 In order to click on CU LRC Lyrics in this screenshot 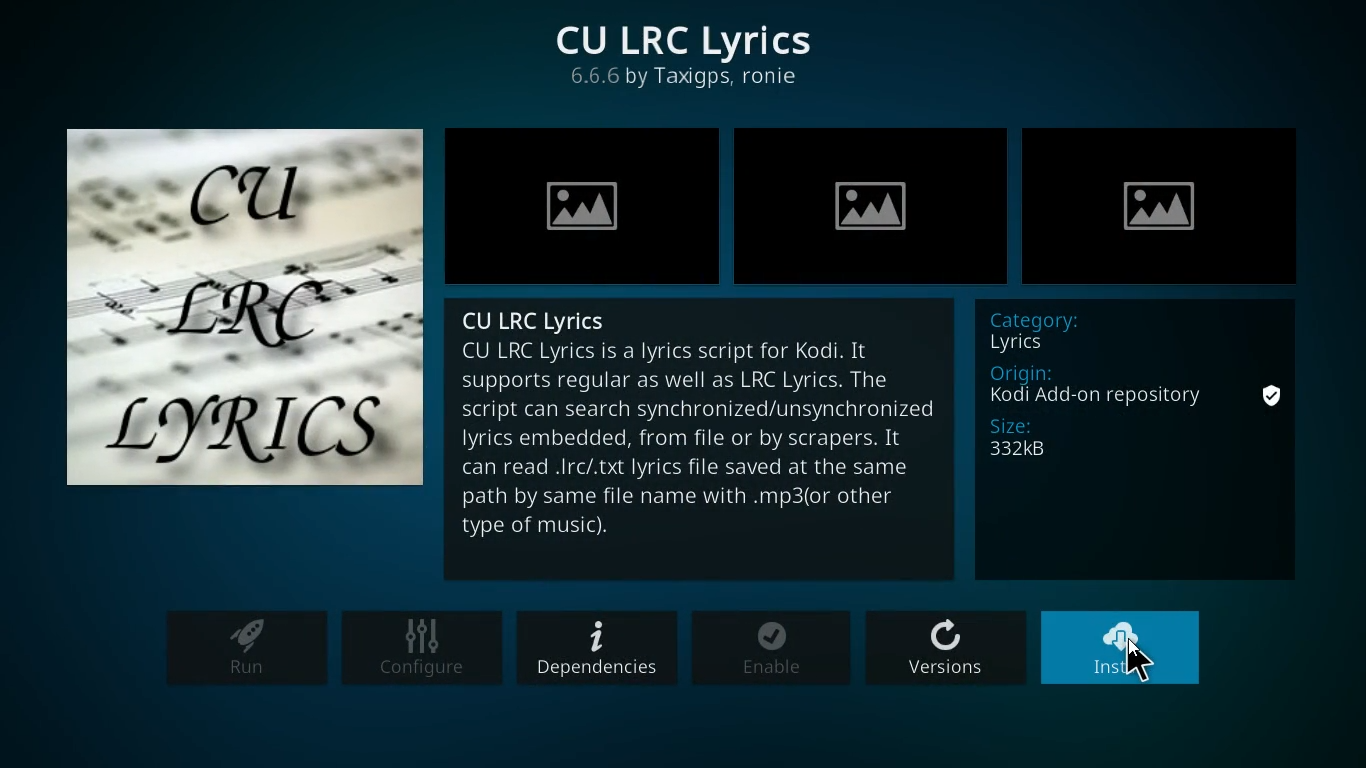, I will do `click(548, 319)`.